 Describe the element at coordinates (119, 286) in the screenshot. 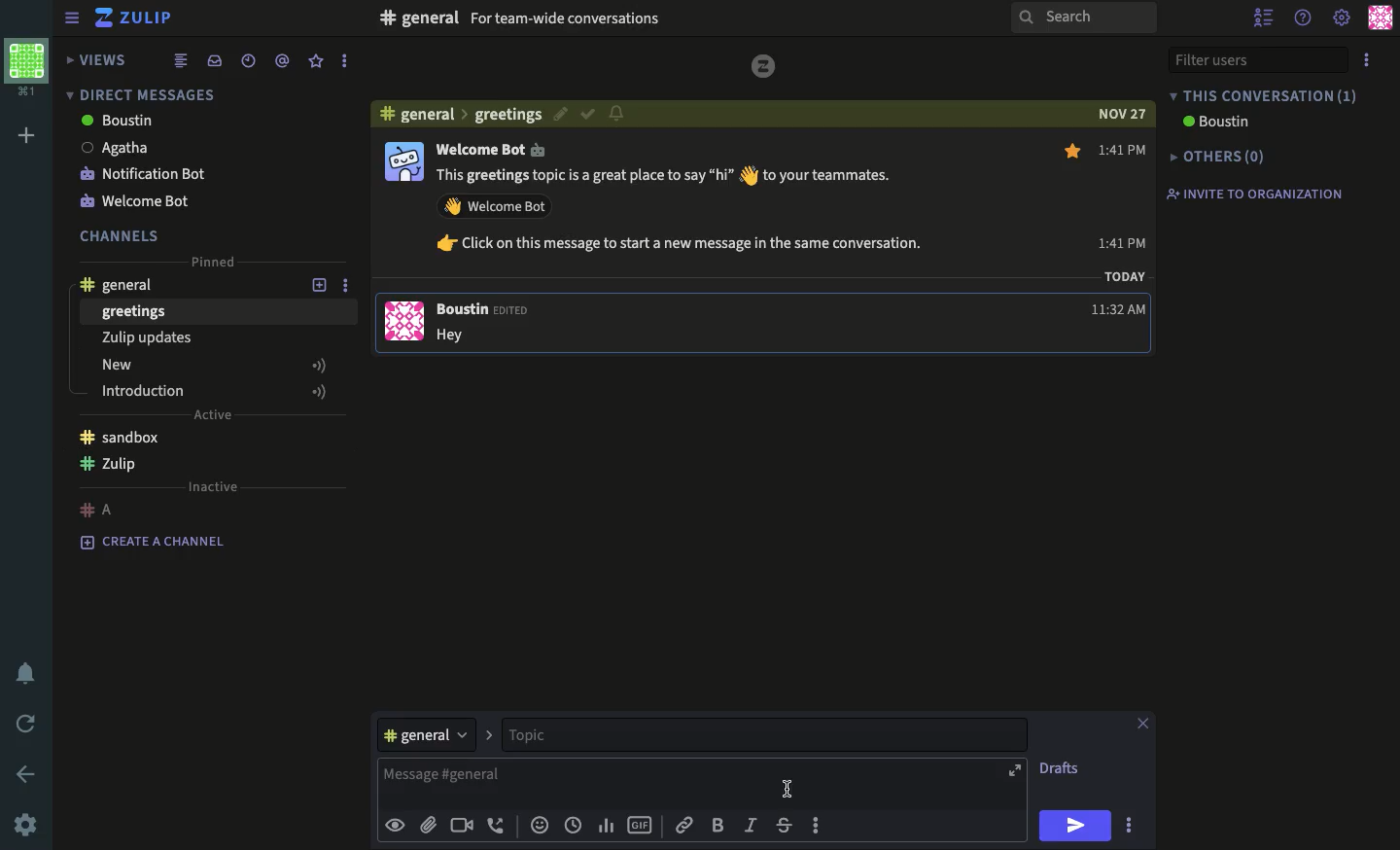

I see `general` at that location.